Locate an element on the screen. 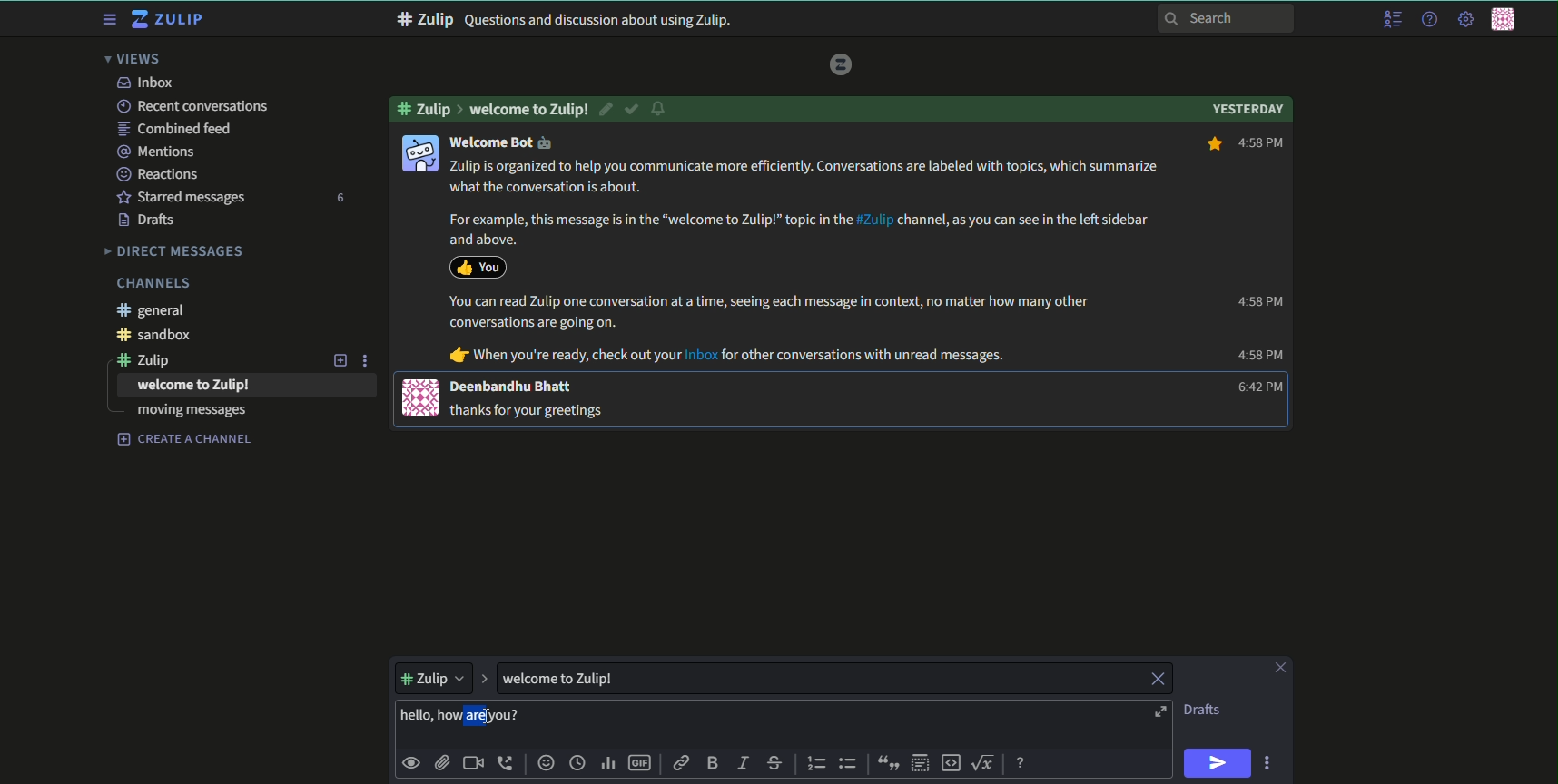 The image size is (1558, 784). add is located at coordinates (338, 359).